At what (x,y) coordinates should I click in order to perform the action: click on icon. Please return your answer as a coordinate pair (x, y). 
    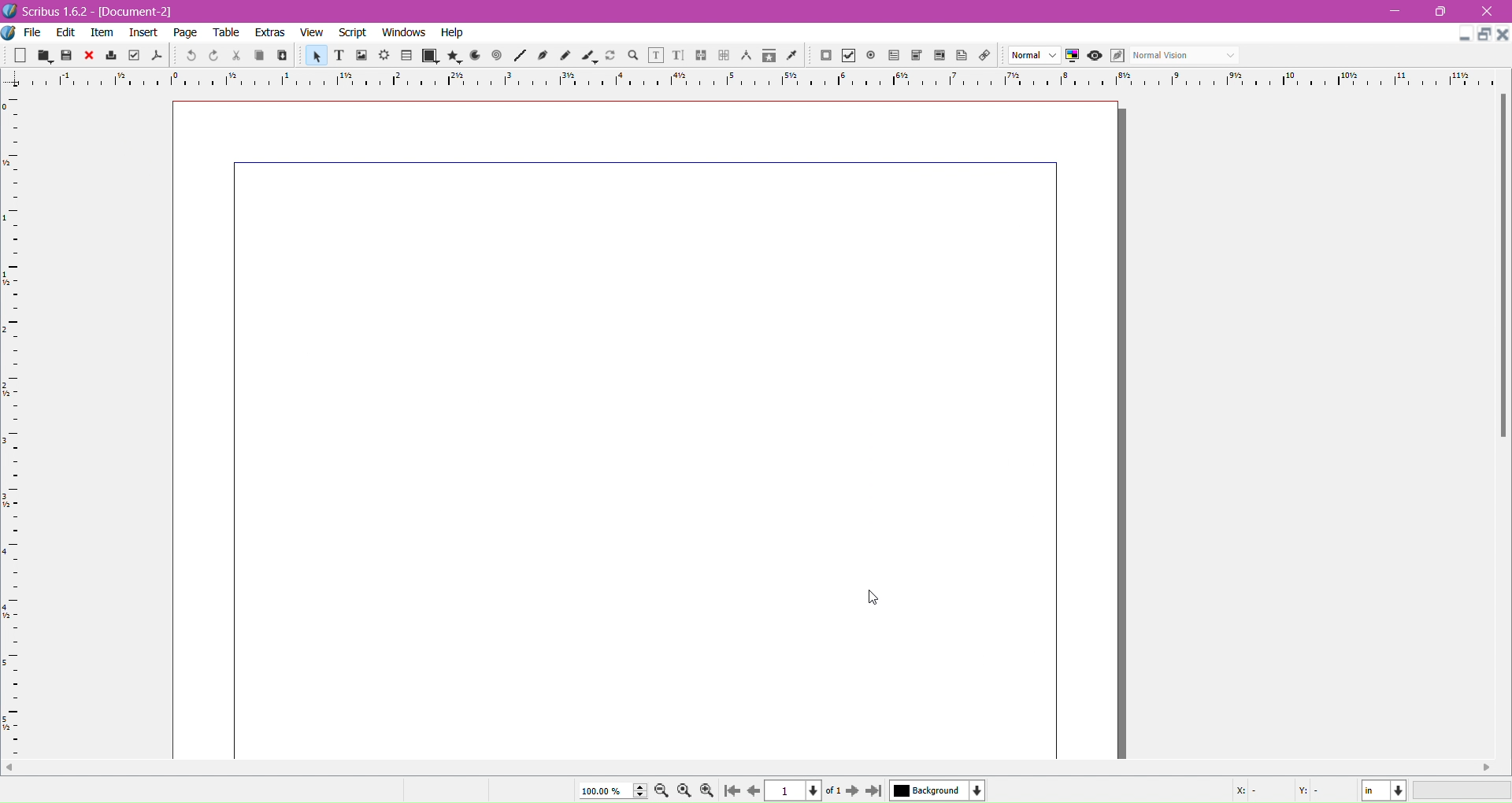
    Looking at the image, I should click on (959, 55).